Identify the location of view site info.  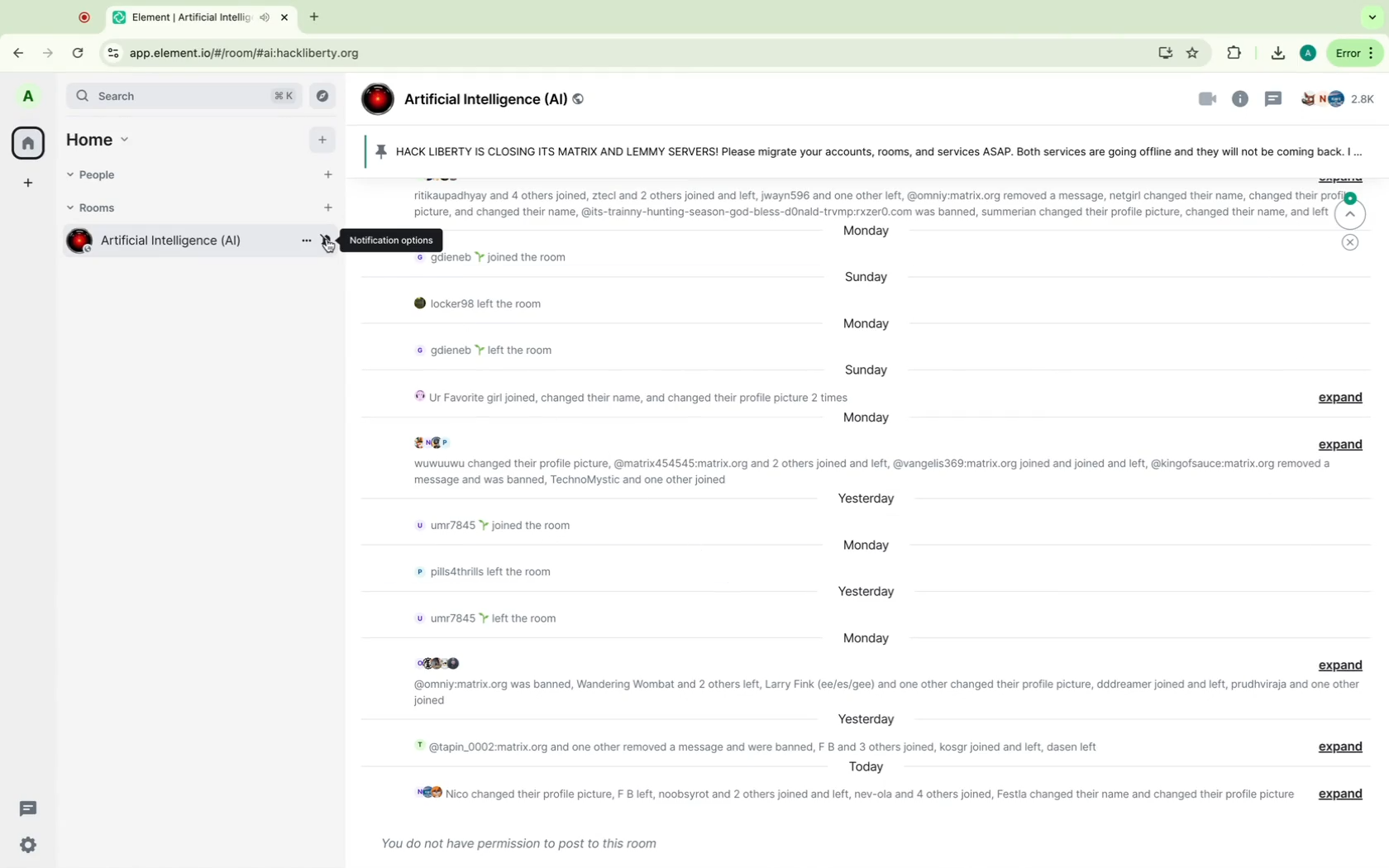
(110, 51).